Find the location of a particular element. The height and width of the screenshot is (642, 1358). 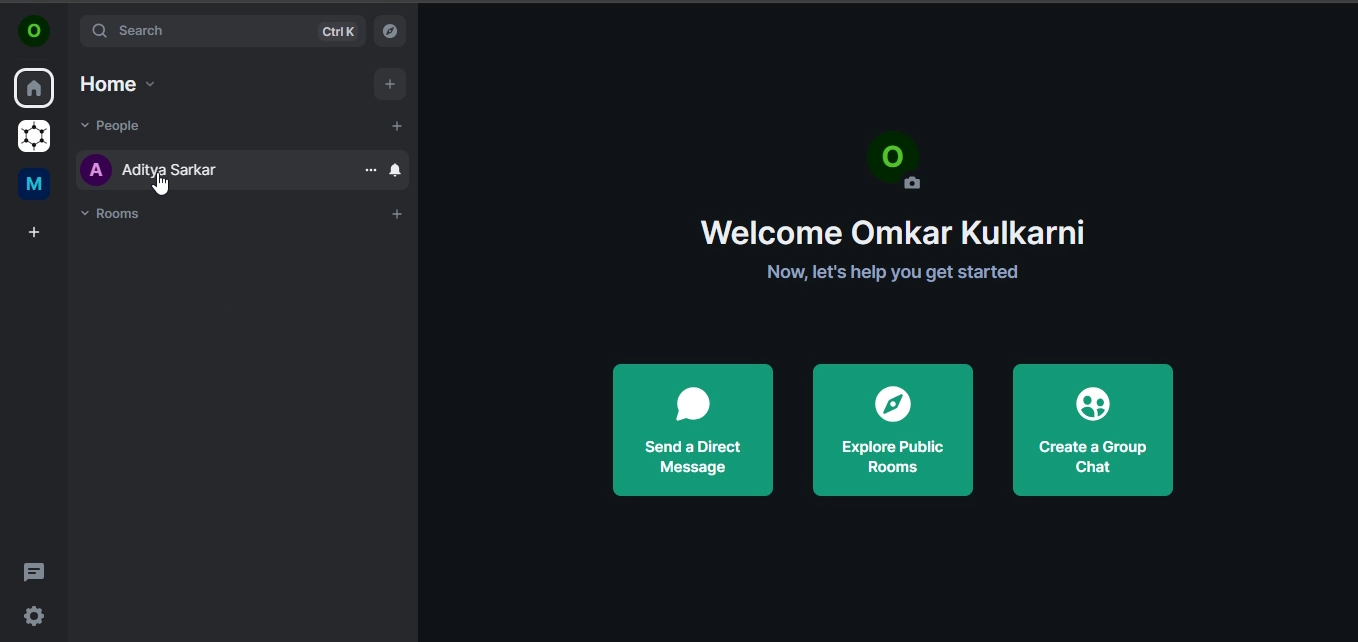

grapheneos is located at coordinates (32, 137).